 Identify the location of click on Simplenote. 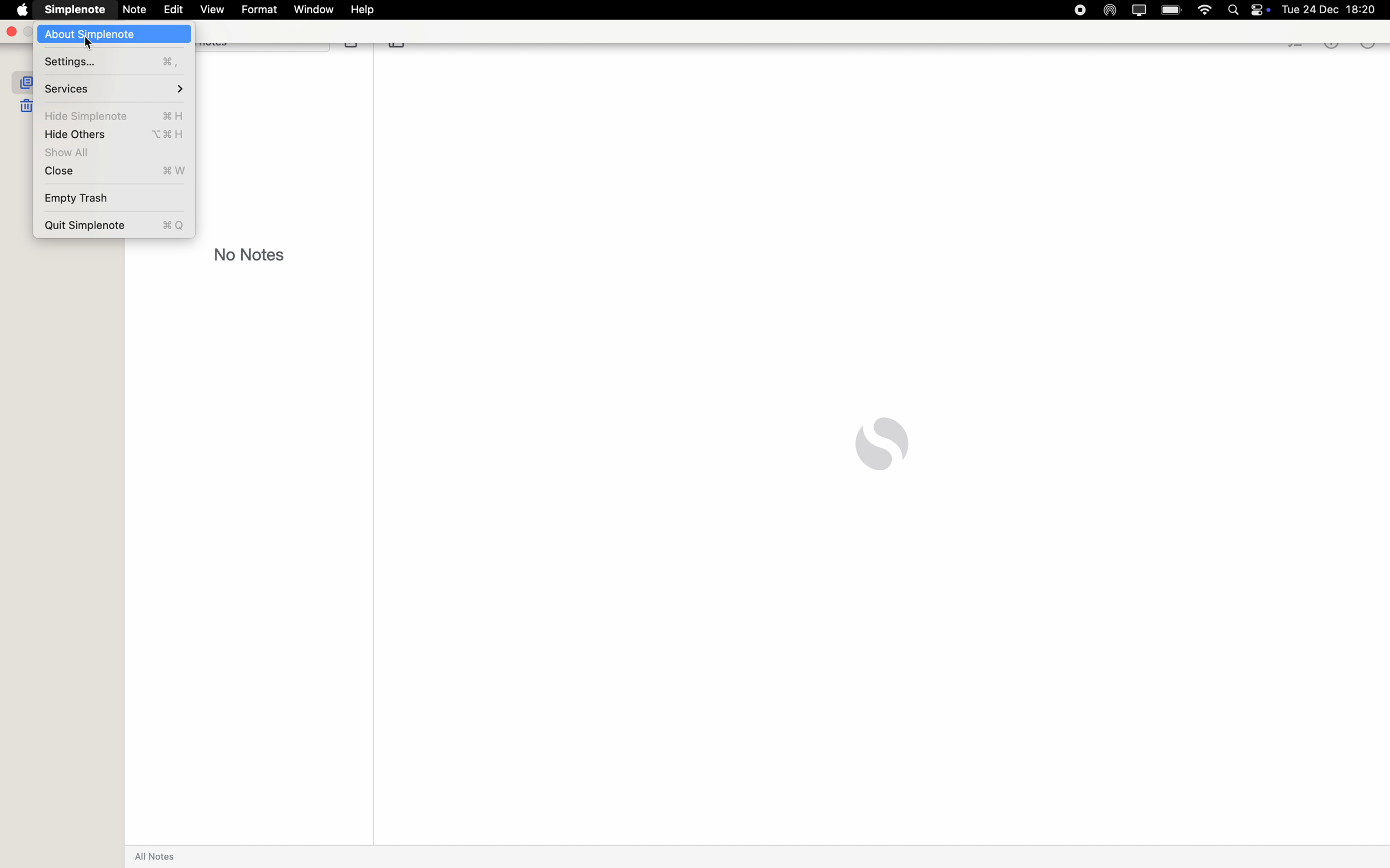
(72, 9).